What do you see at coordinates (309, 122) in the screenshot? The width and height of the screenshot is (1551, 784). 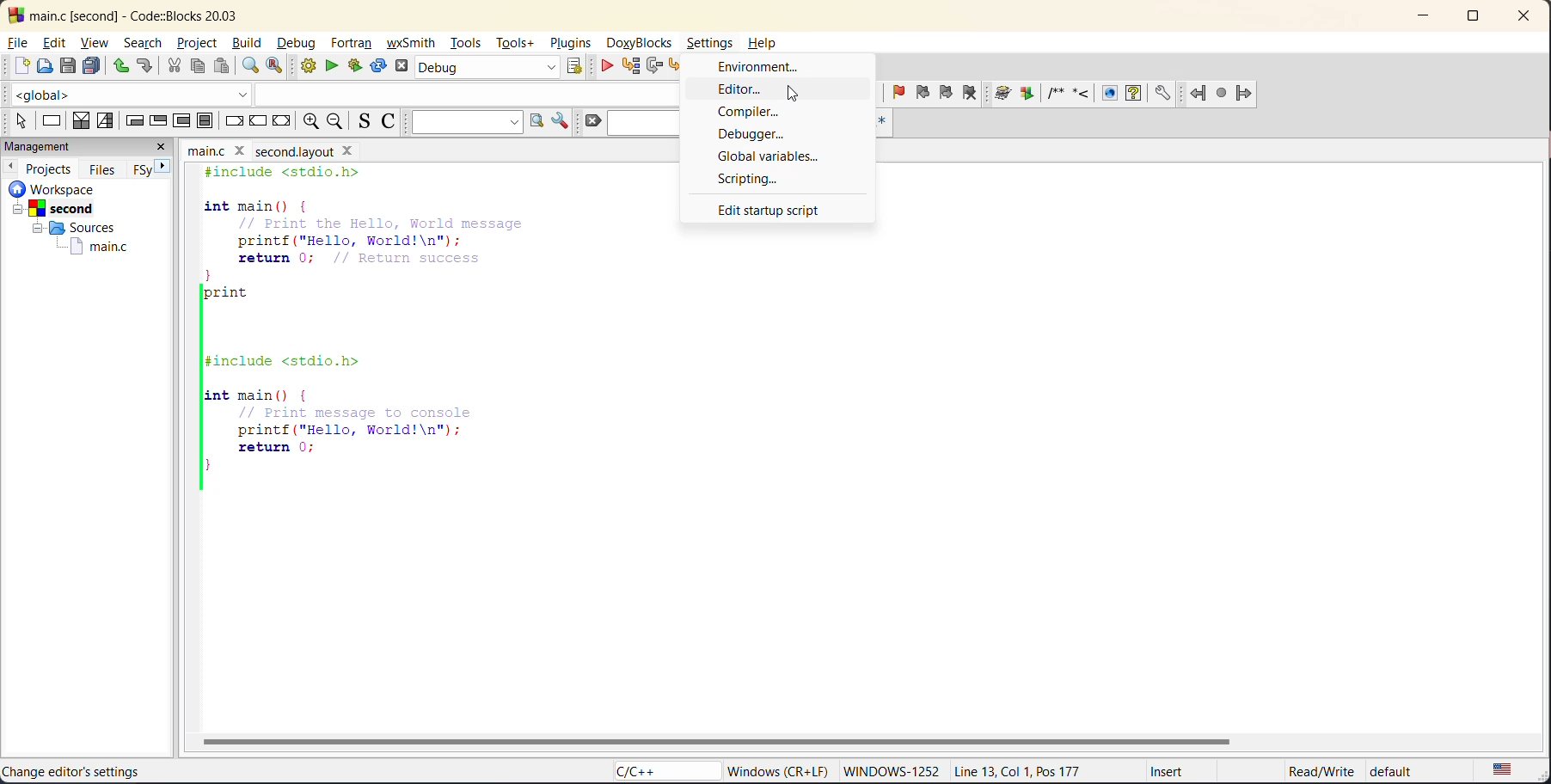 I see `zoom in` at bounding box center [309, 122].